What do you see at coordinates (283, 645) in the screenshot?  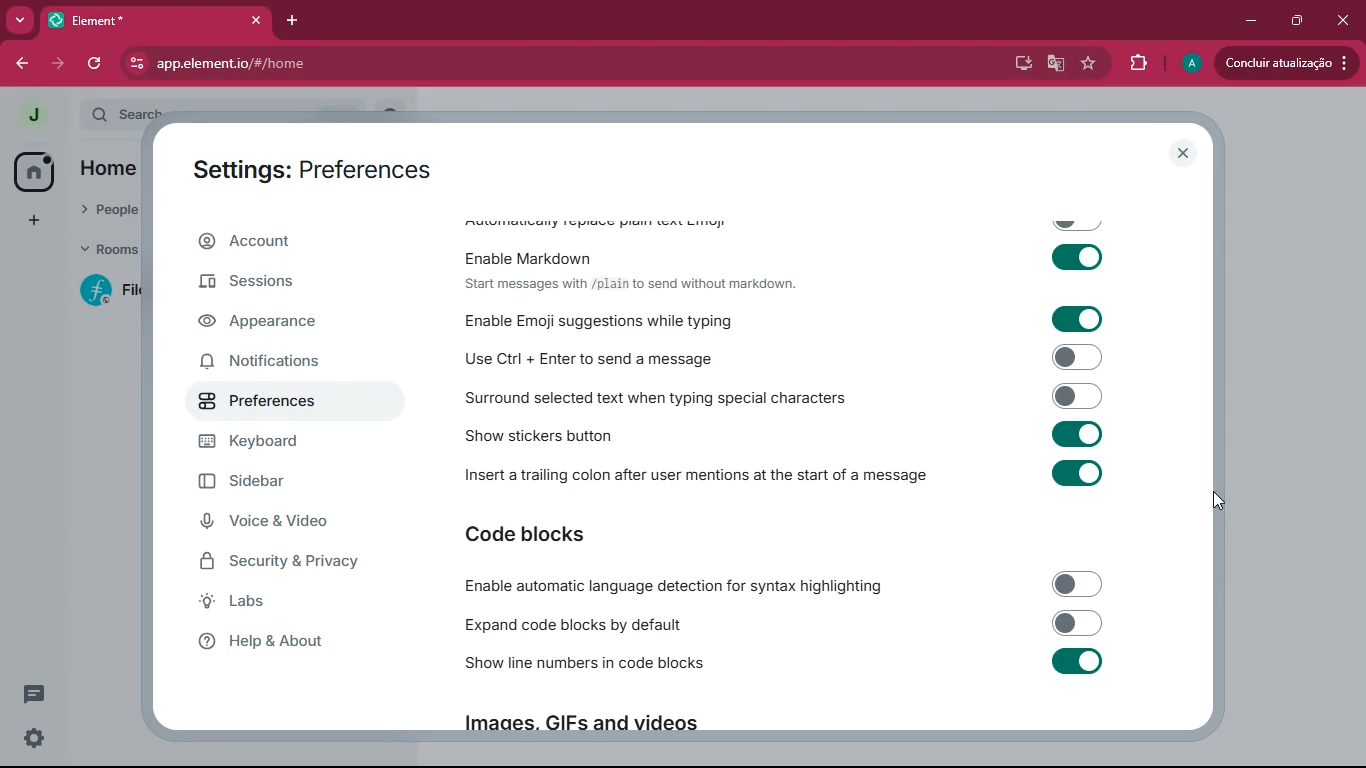 I see `help` at bounding box center [283, 645].